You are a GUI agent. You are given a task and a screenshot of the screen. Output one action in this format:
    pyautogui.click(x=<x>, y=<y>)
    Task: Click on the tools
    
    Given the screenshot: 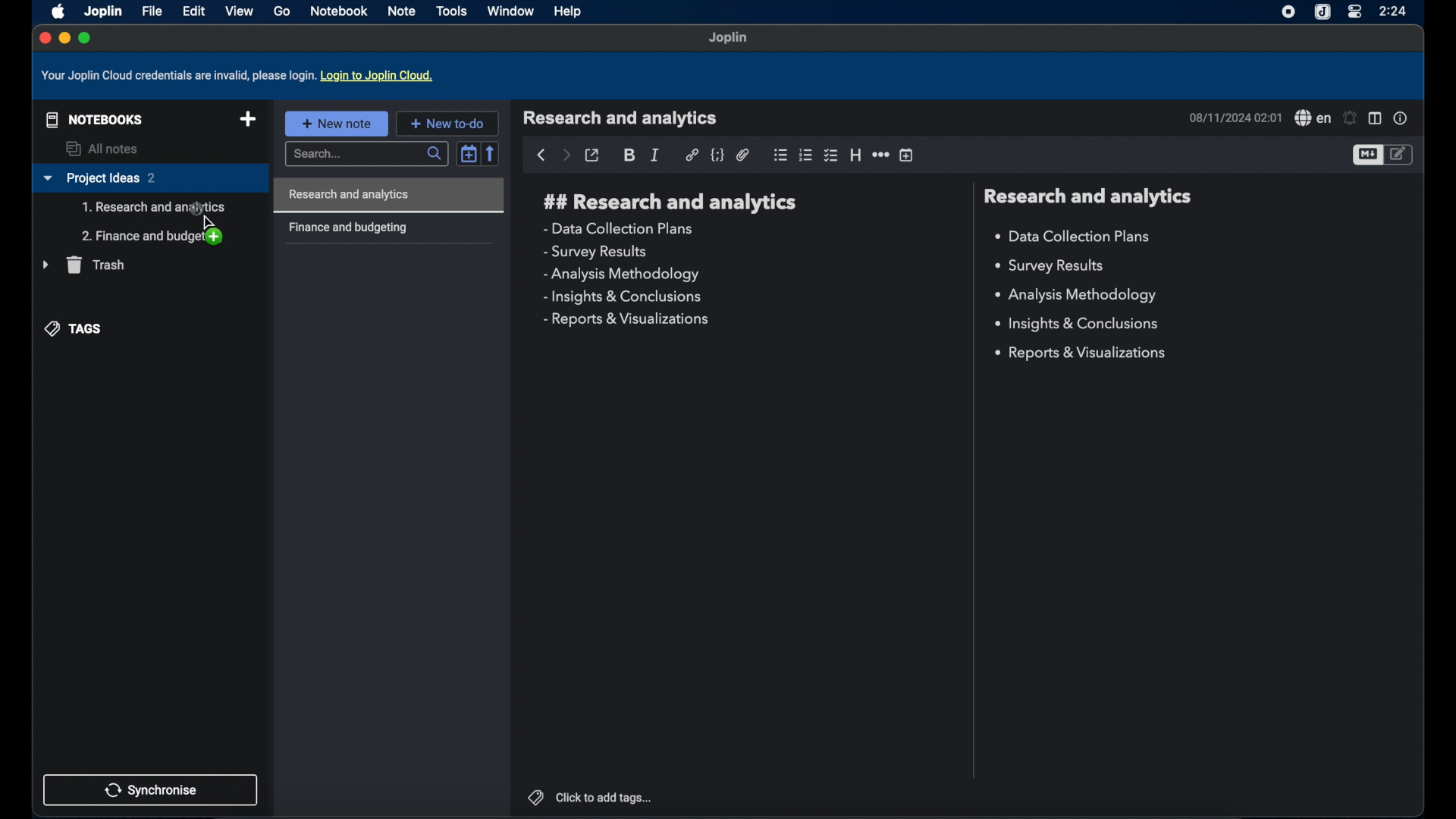 What is the action you would take?
    pyautogui.click(x=452, y=11)
    